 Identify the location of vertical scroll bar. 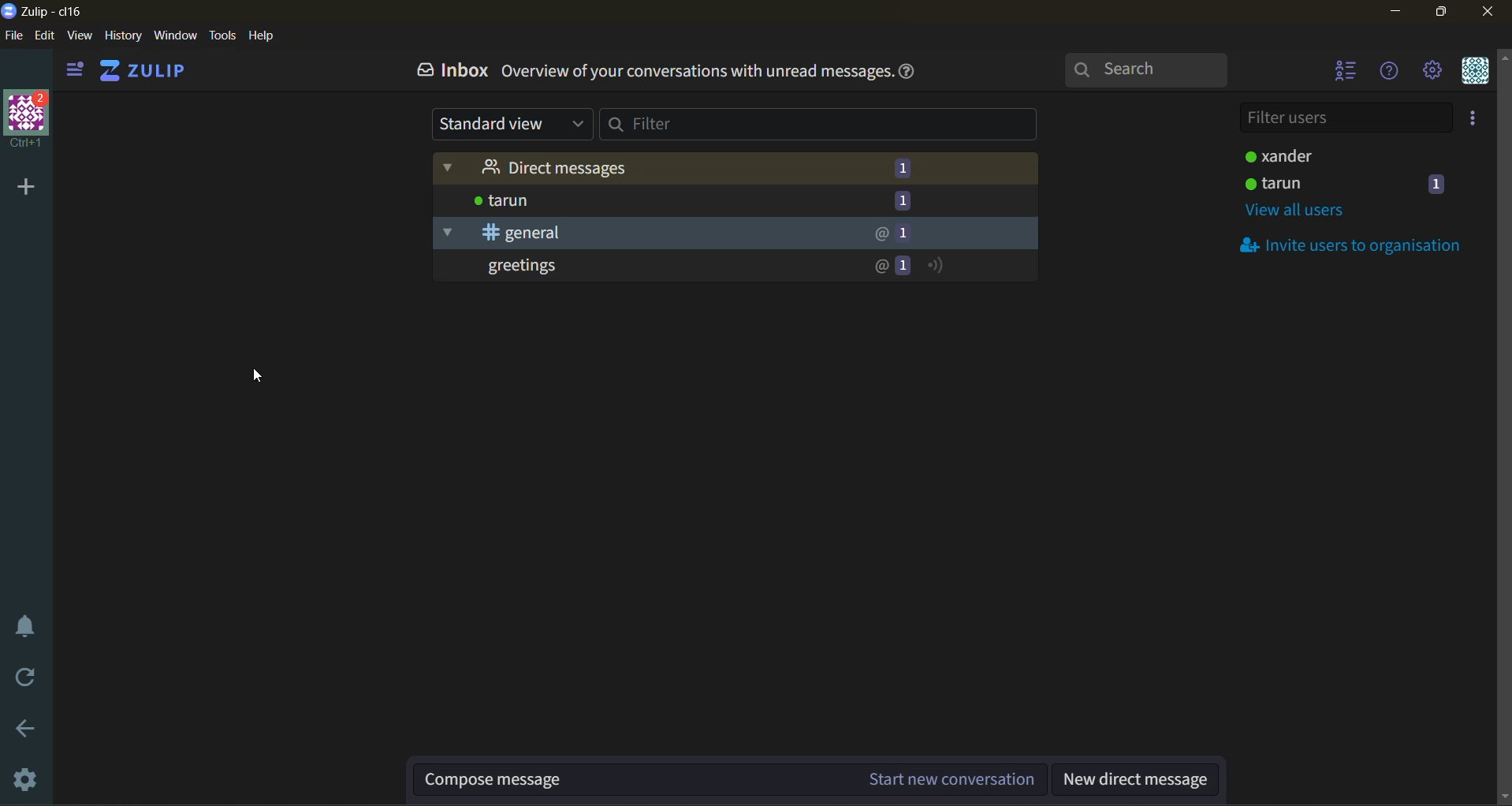
(1503, 351).